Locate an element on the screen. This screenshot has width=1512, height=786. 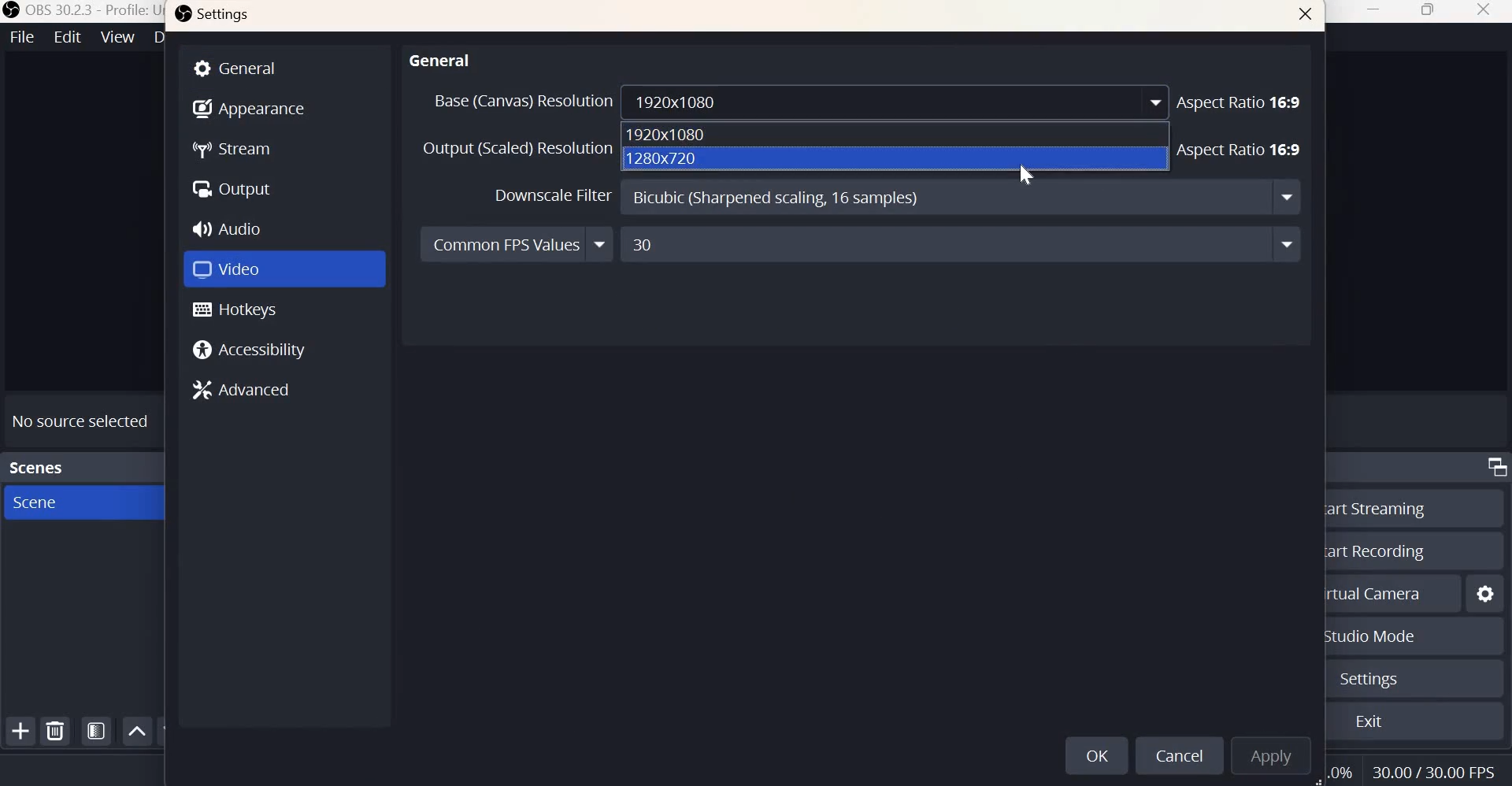
OK is located at coordinates (1095, 755).